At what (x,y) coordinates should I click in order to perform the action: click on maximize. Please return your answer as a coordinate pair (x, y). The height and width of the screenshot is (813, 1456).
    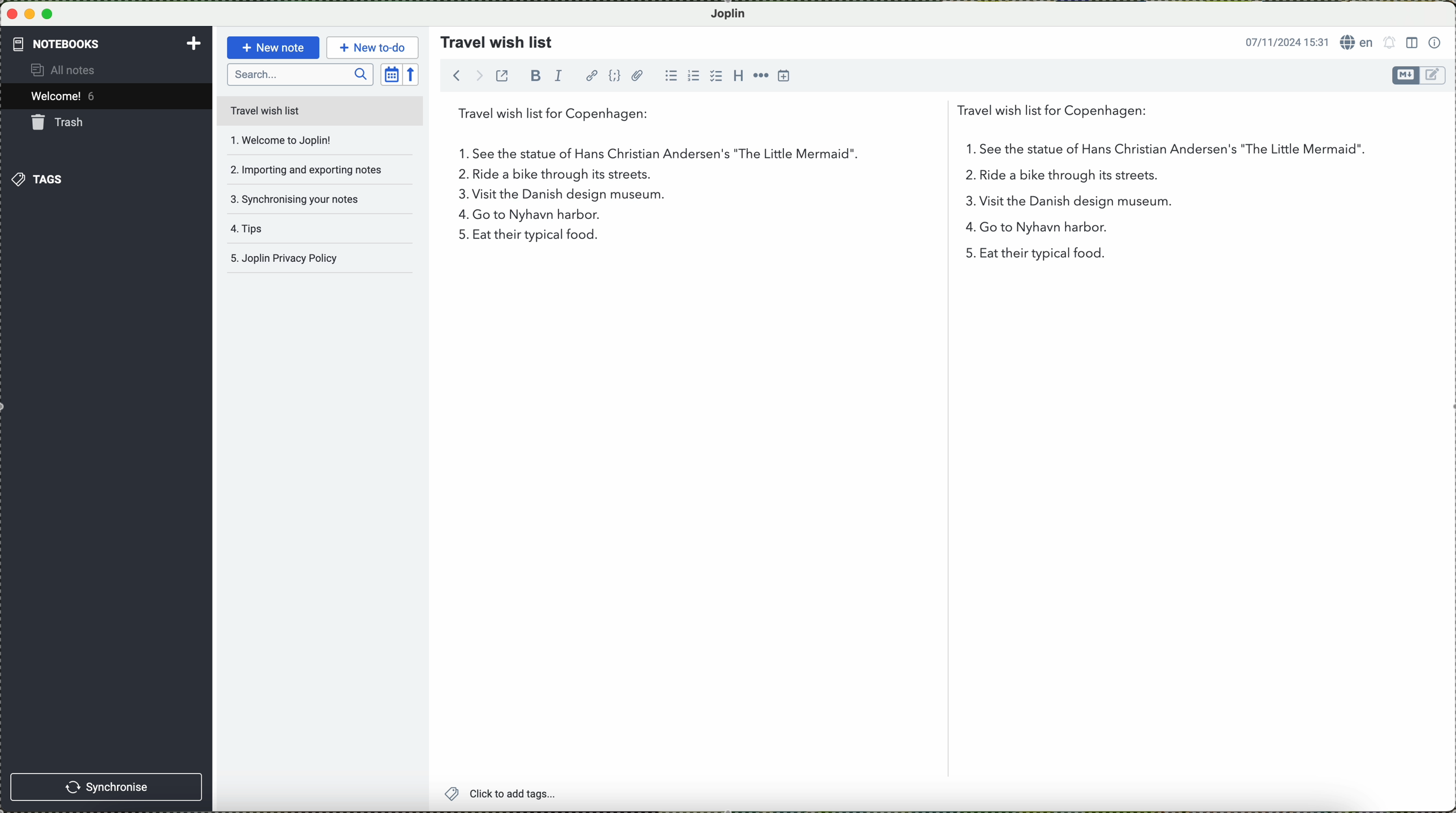
    Looking at the image, I should click on (50, 14).